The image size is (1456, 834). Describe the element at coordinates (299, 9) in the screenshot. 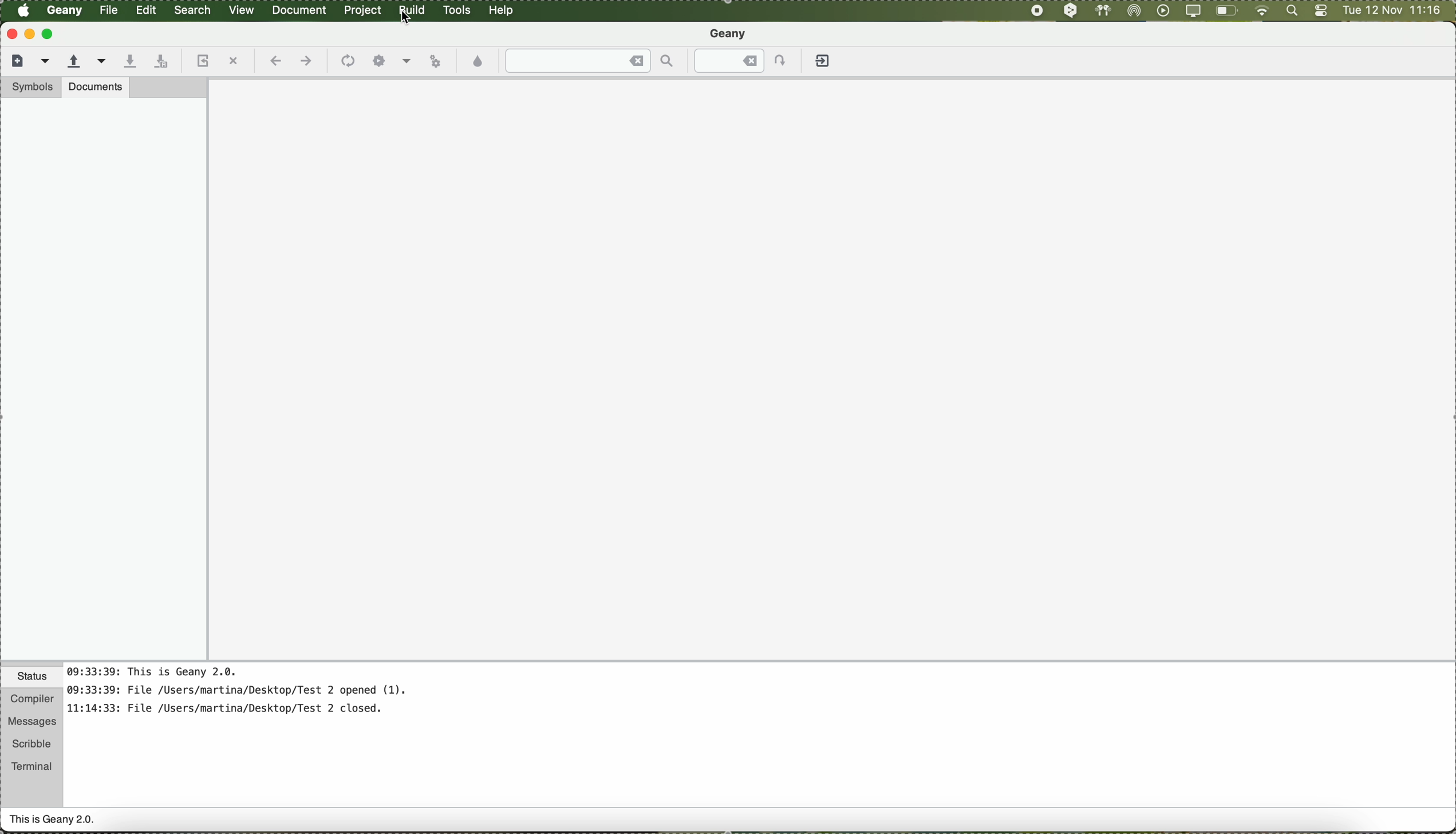

I see `document` at that location.